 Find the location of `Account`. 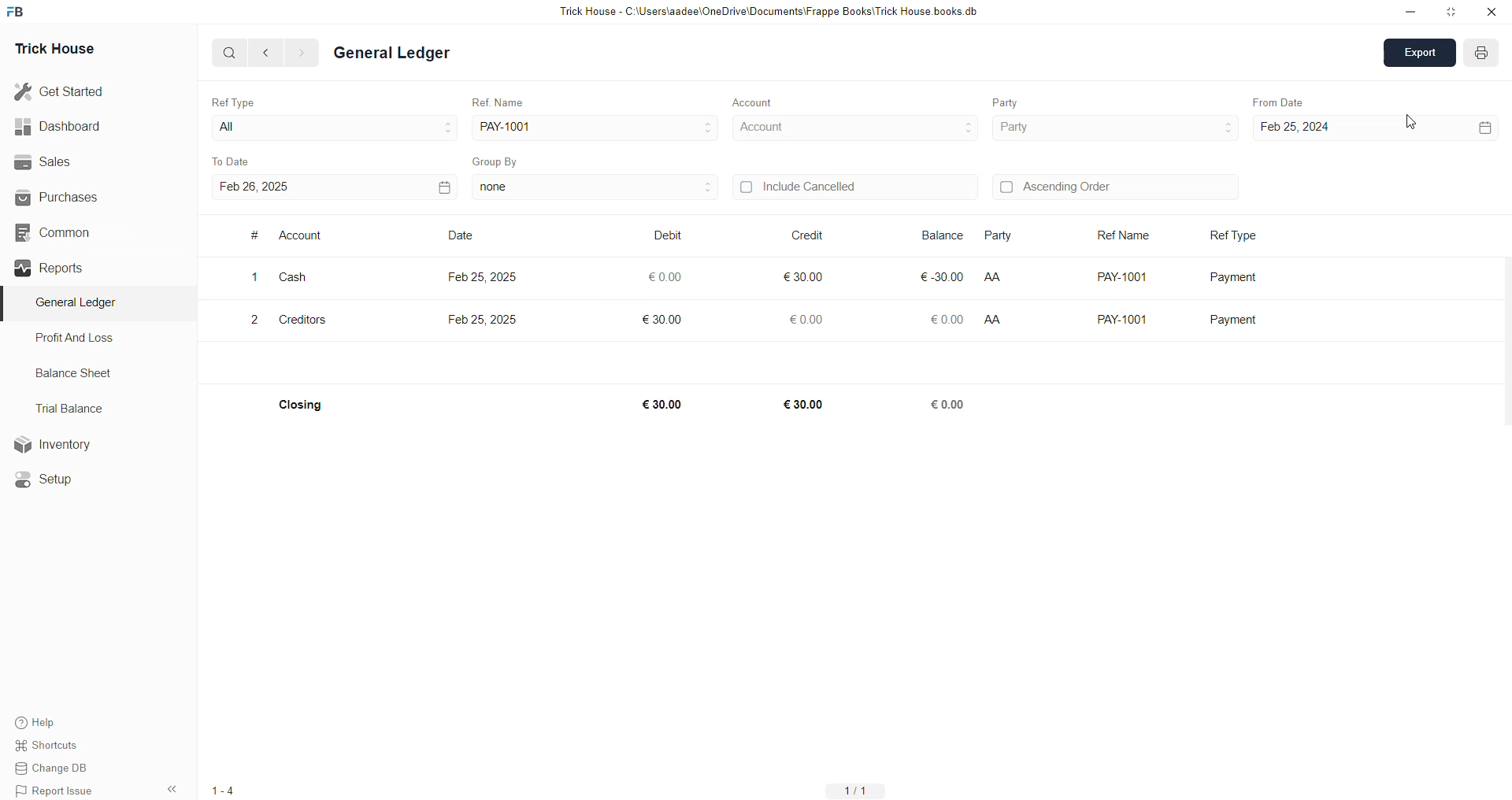

Account is located at coordinates (303, 236).